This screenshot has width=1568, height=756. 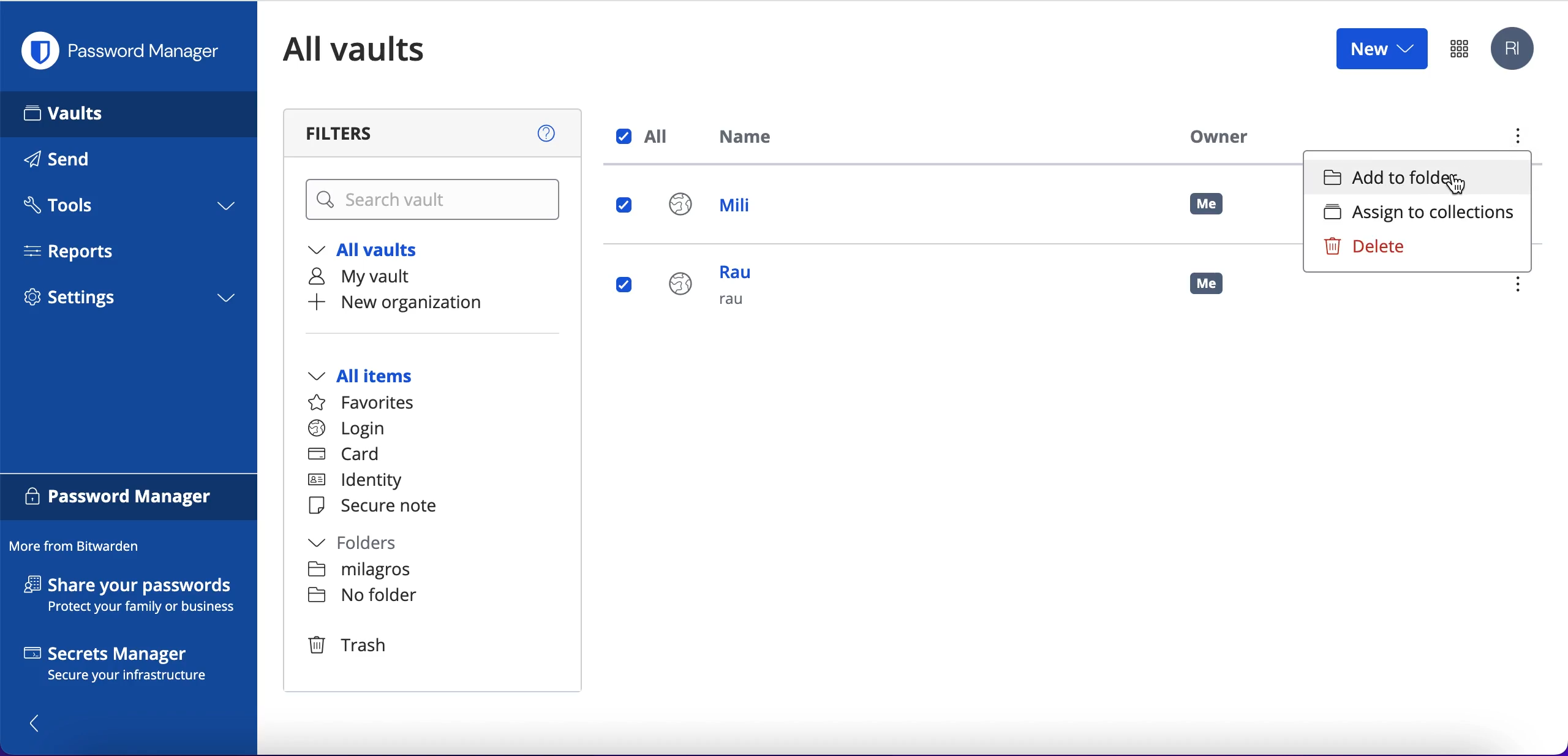 I want to click on settings, so click(x=129, y=301).